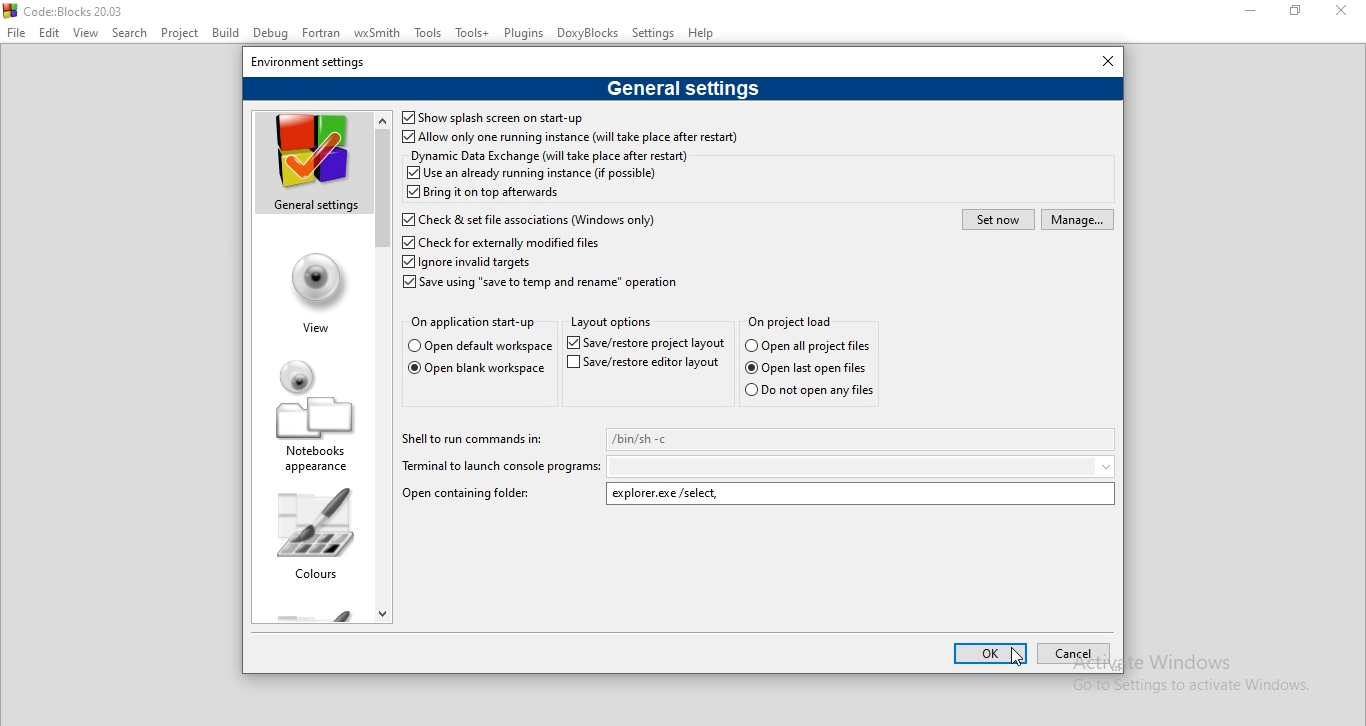 Image resolution: width=1366 pixels, height=726 pixels. Describe the element at coordinates (486, 194) in the screenshot. I see `Bring it on top afterwards` at that location.